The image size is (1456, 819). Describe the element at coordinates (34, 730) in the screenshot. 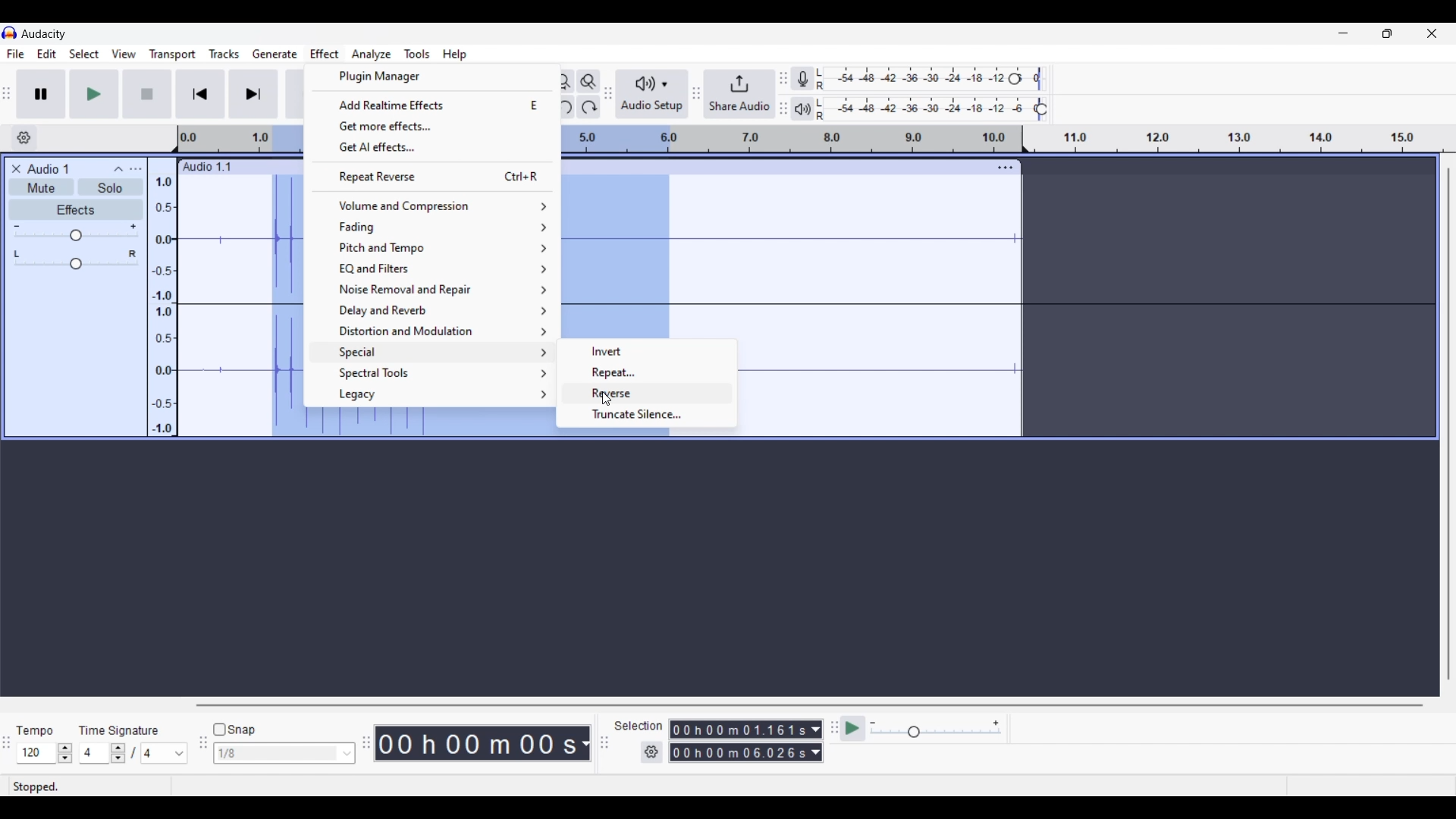

I see `Tempo` at that location.